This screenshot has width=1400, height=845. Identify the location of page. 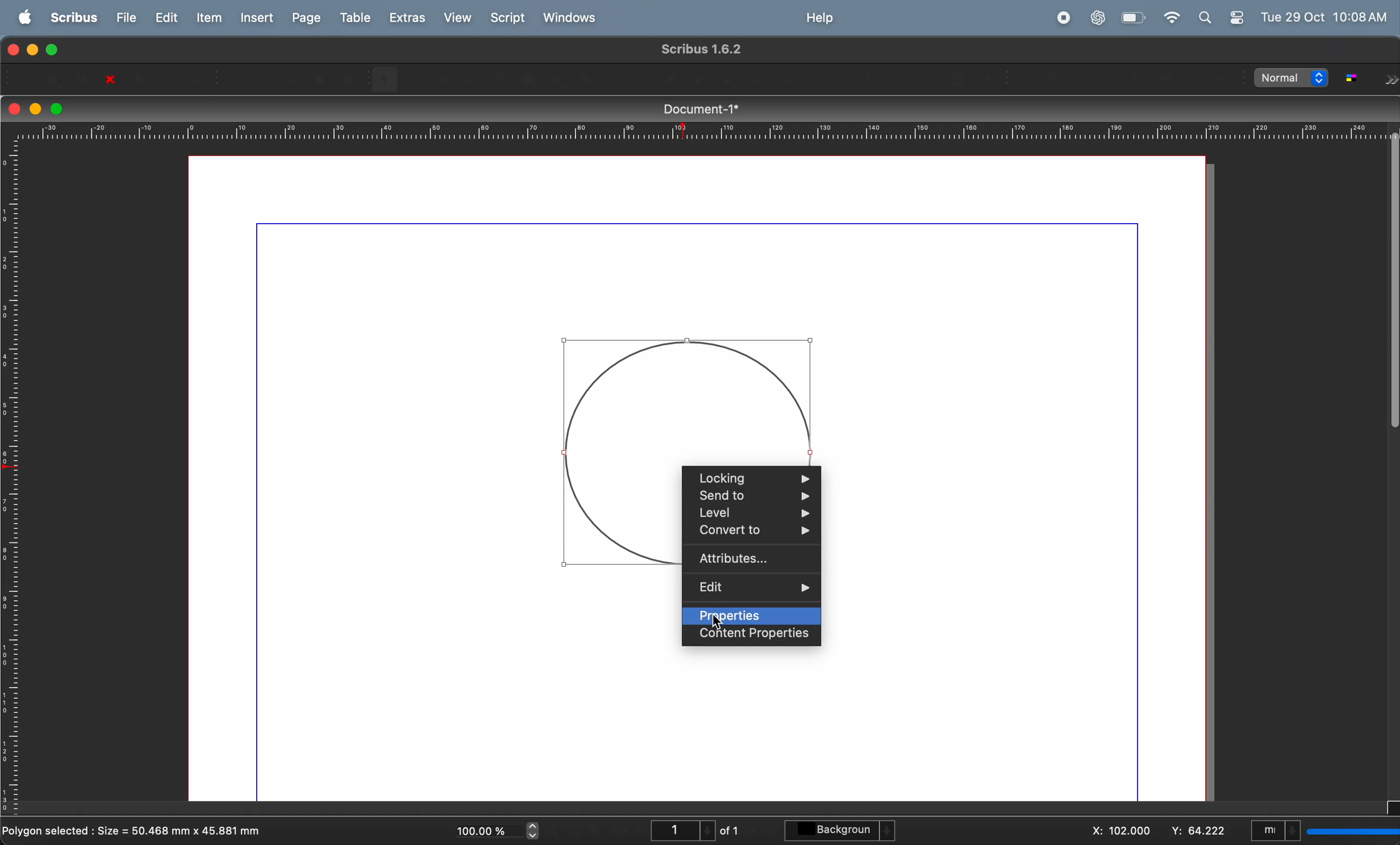
(305, 18).